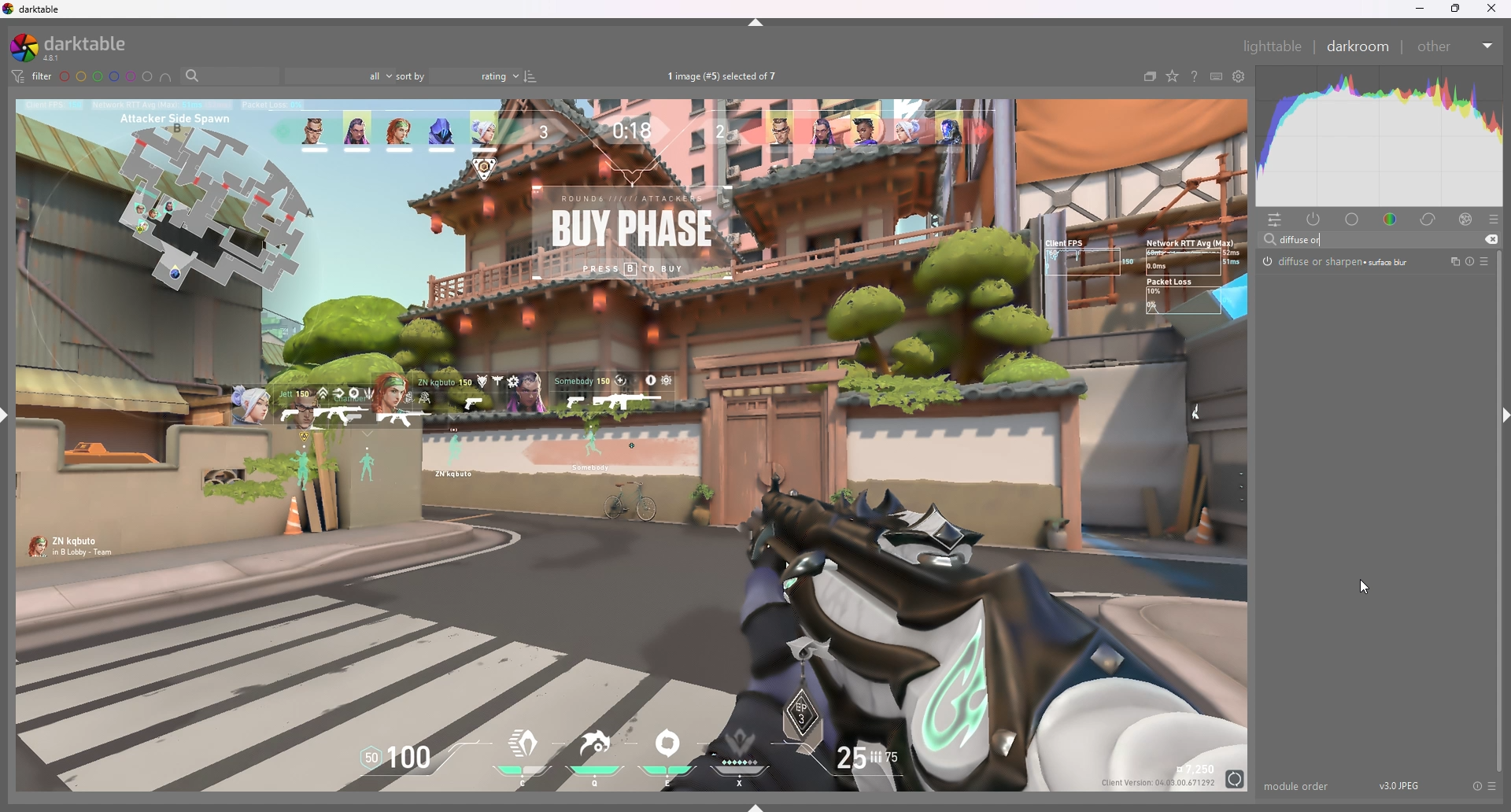 The image size is (1511, 812). I want to click on show, so click(761, 806).